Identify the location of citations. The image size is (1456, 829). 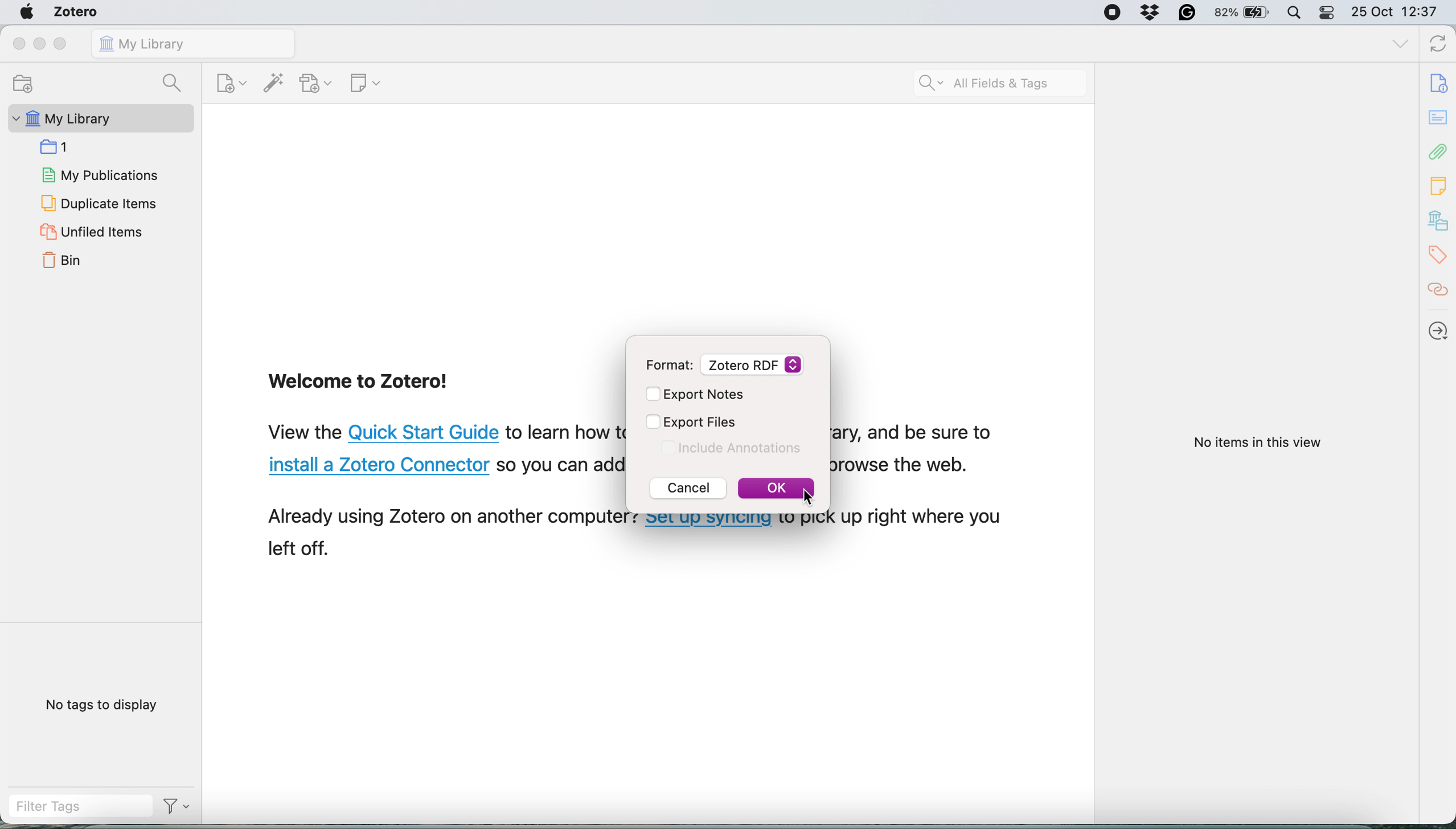
(1441, 292).